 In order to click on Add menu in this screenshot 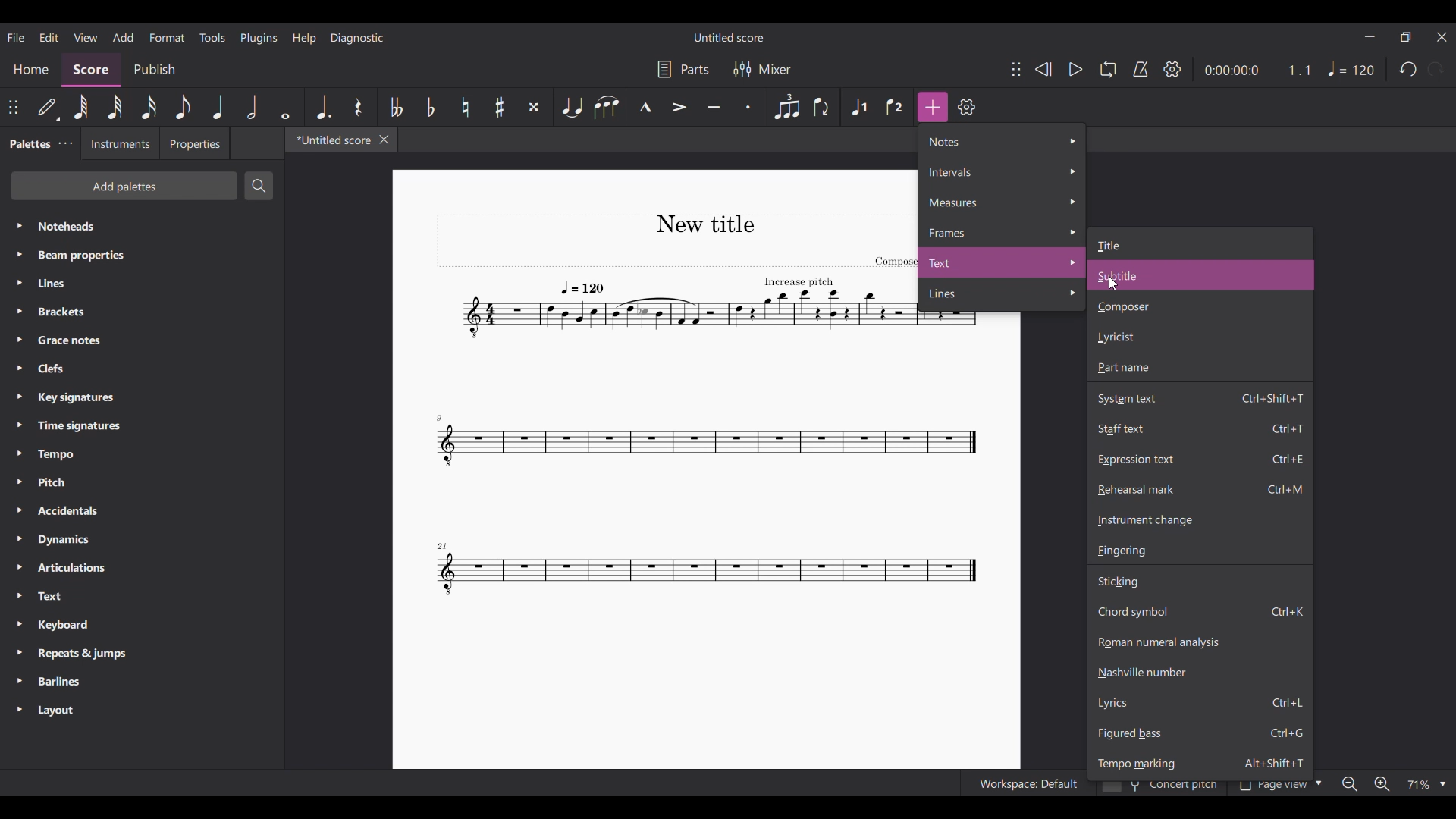, I will do `click(124, 38)`.